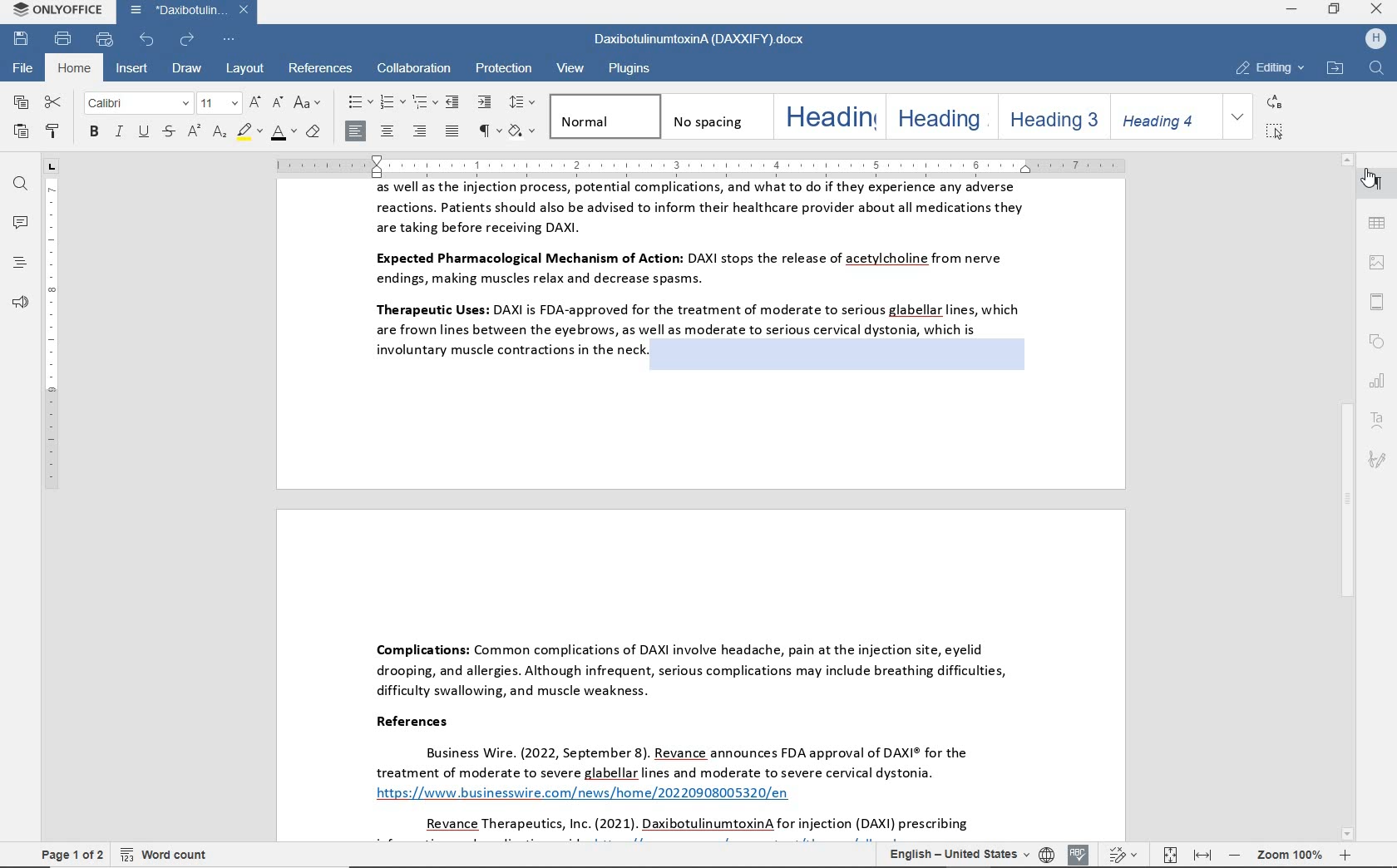 The width and height of the screenshot is (1397, 868). Describe the element at coordinates (21, 185) in the screenshot. I see `find` at that location.